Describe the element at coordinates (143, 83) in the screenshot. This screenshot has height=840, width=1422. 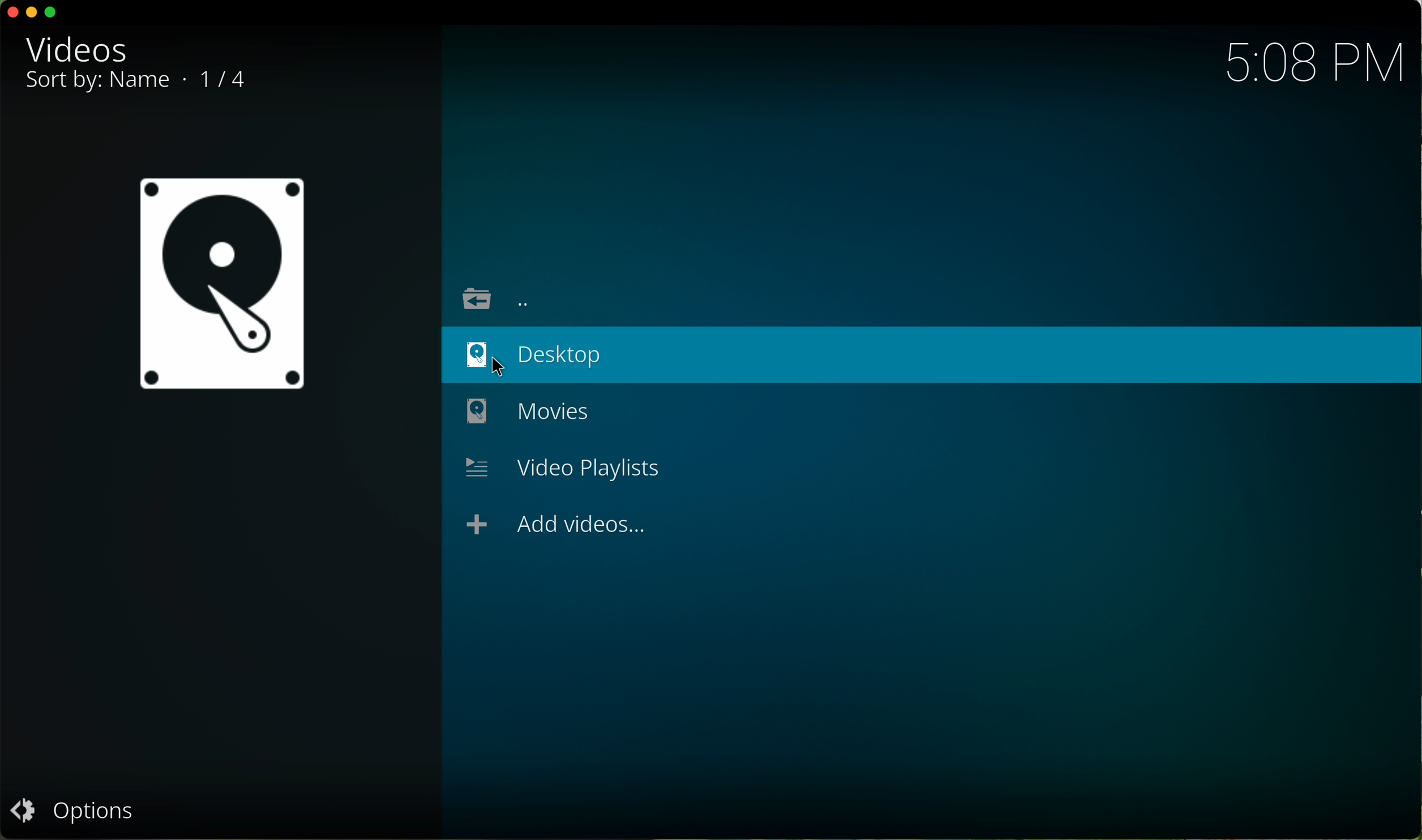
I see `sort by: name 1/4` at that location.